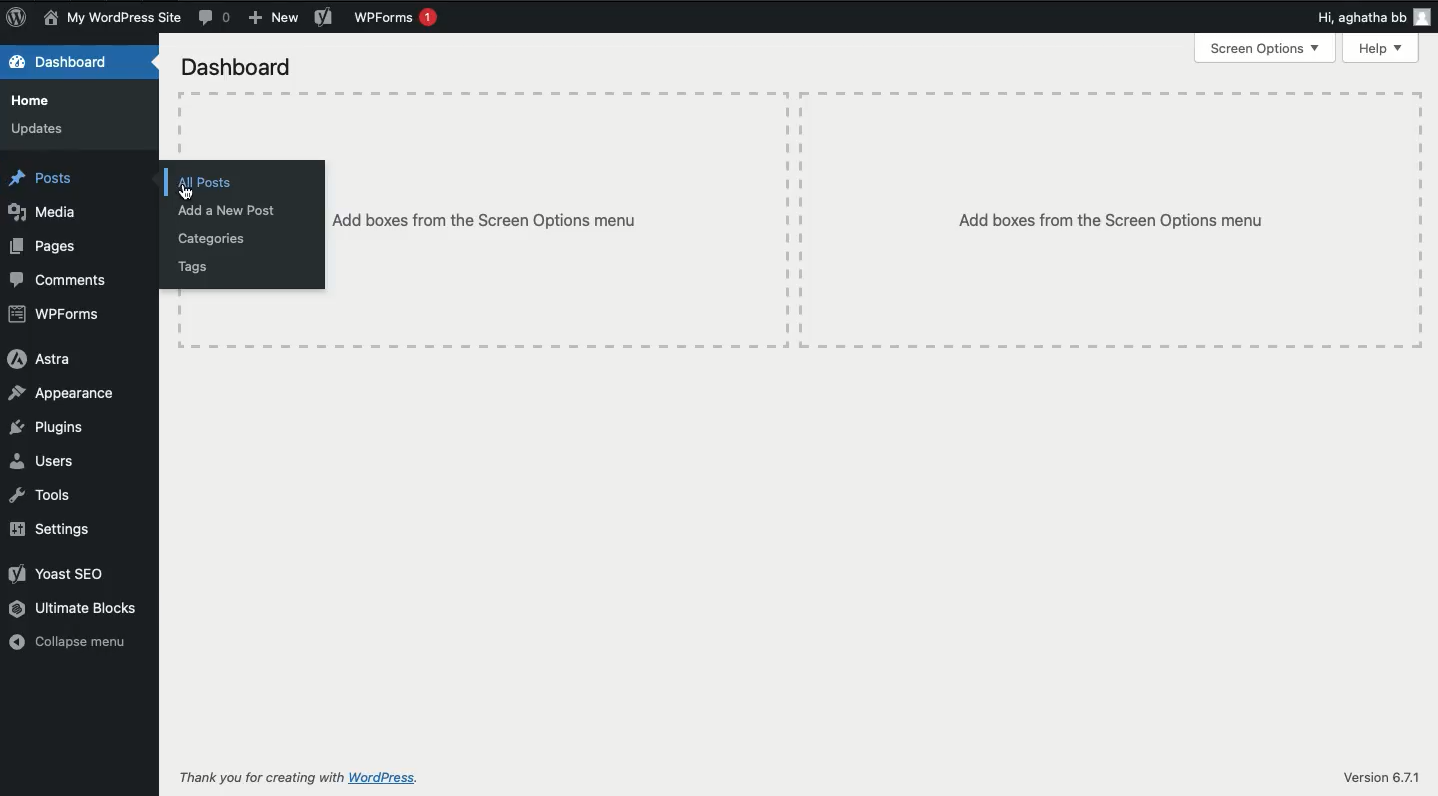 The width and height of the screenshot is (1438, 796). Describe the element at coordinates (75, 643) in the screenshot. I see `Collapse menu` at that location.